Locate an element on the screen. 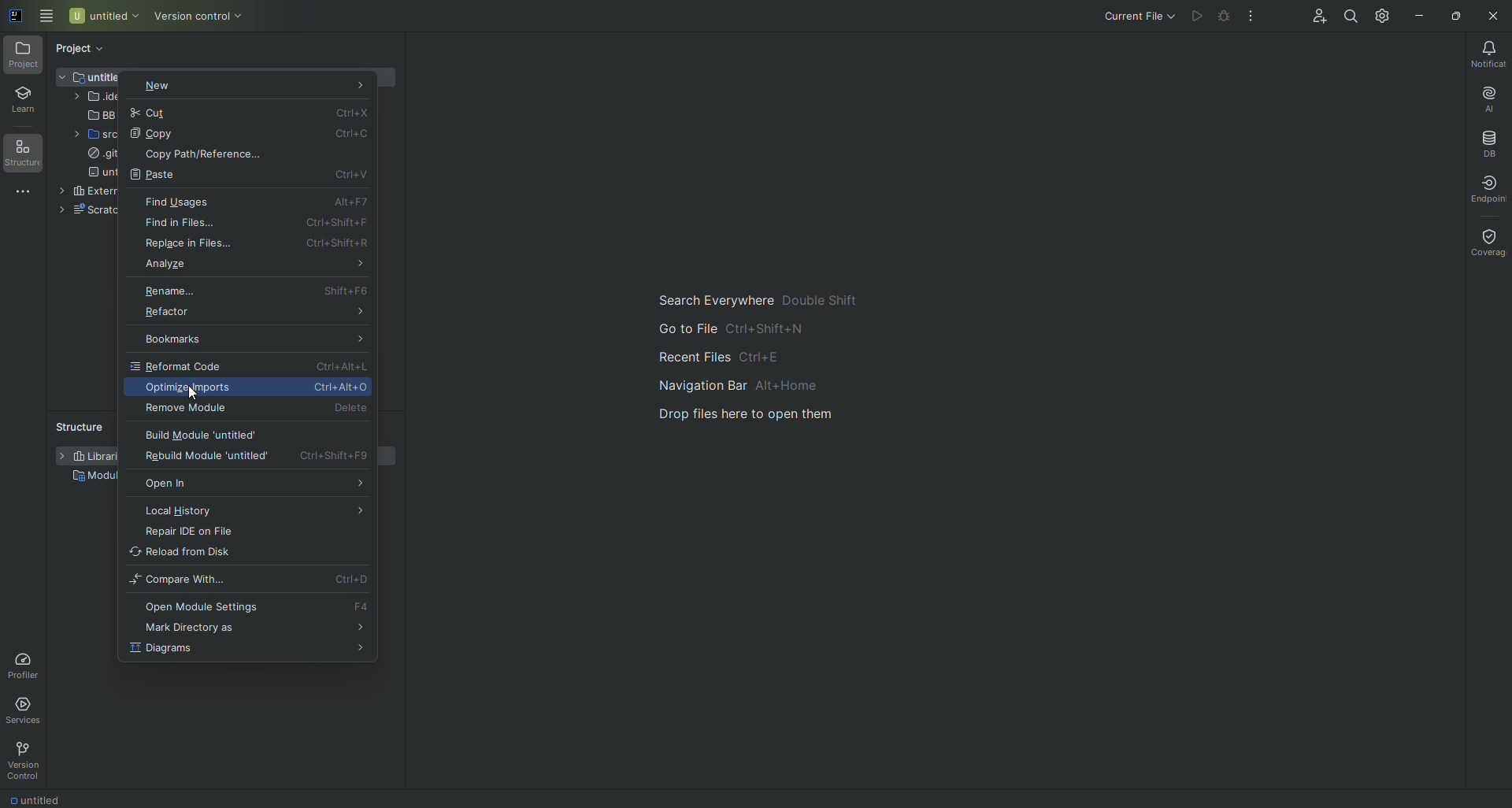 This screenshot has width=1512, height=808. Copy Path References is located at coordinates (250, 153).